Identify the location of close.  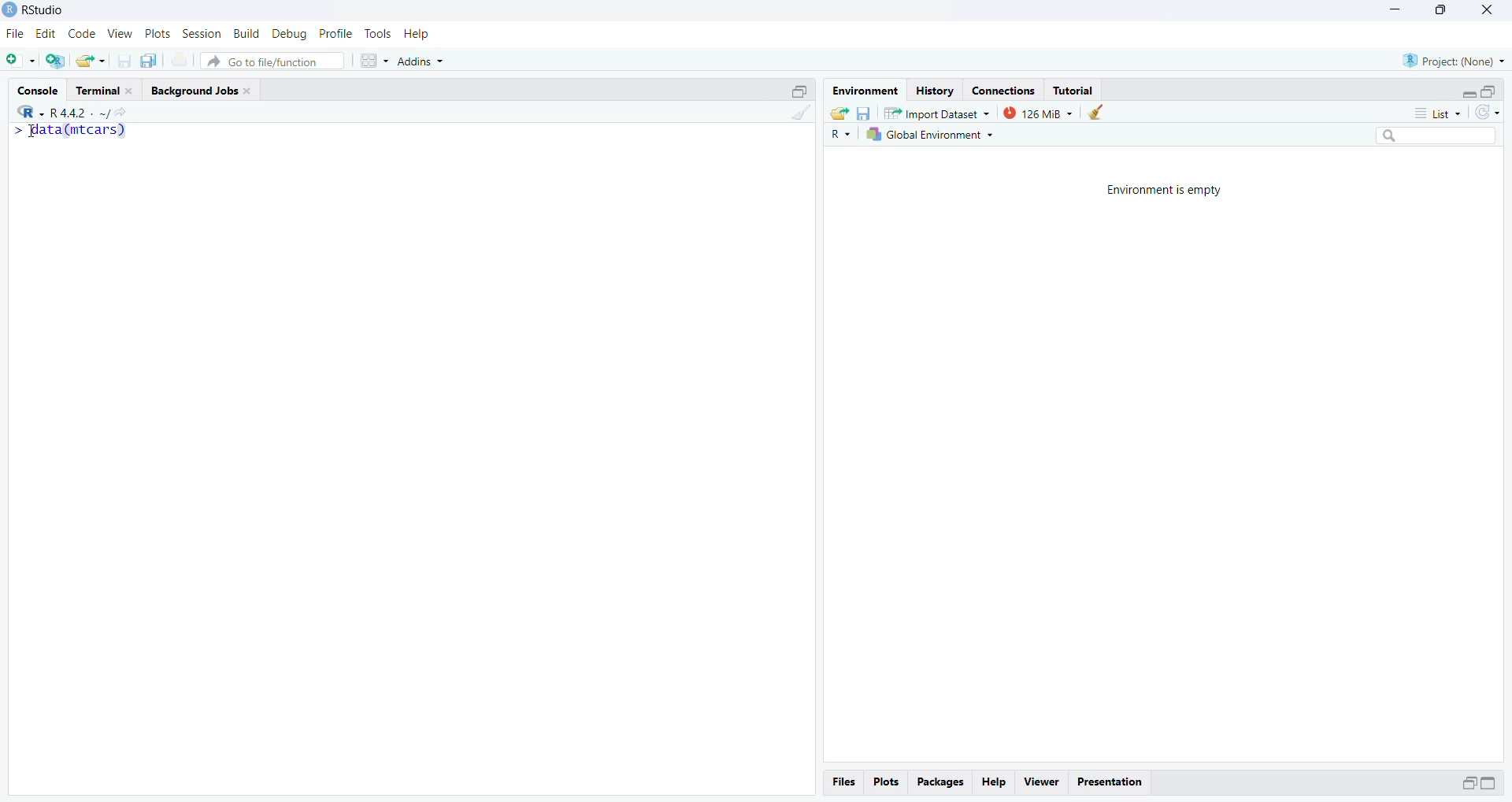
(1486, 12).